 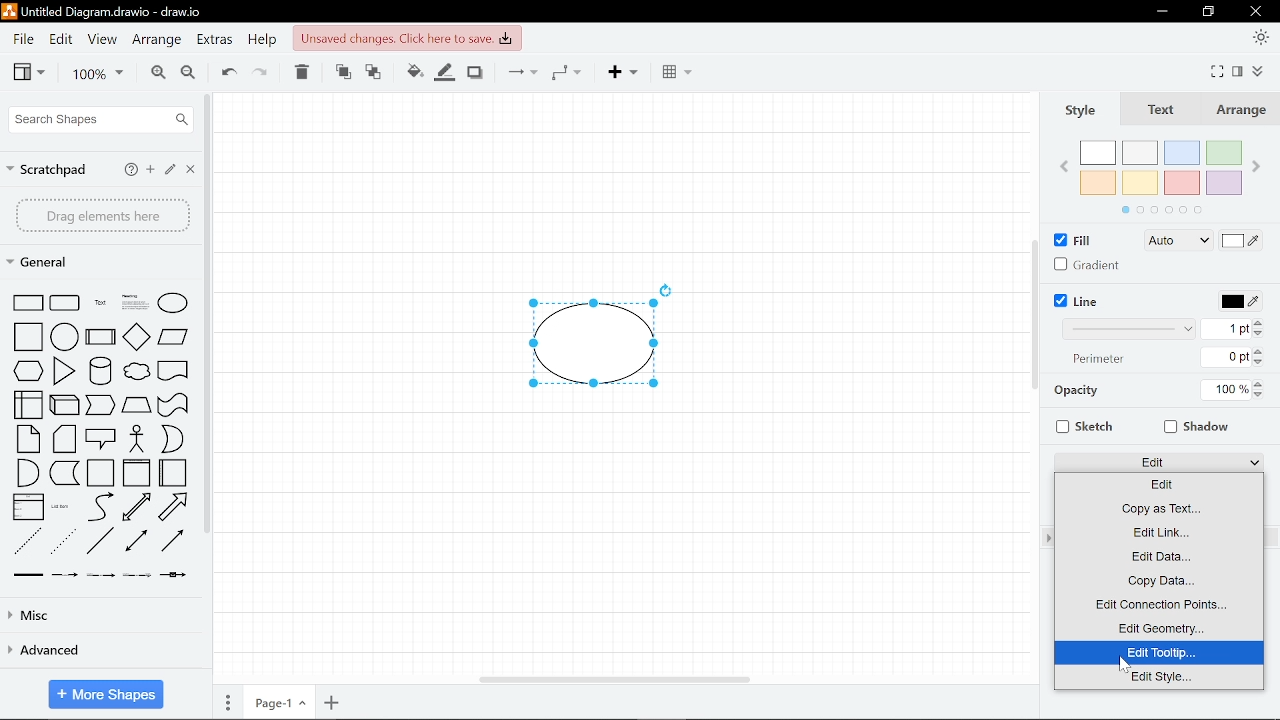 What do you see at coordinates (1161, 12) in the screenshot?
I see `Minimize` at bounding box center [1161, 12].